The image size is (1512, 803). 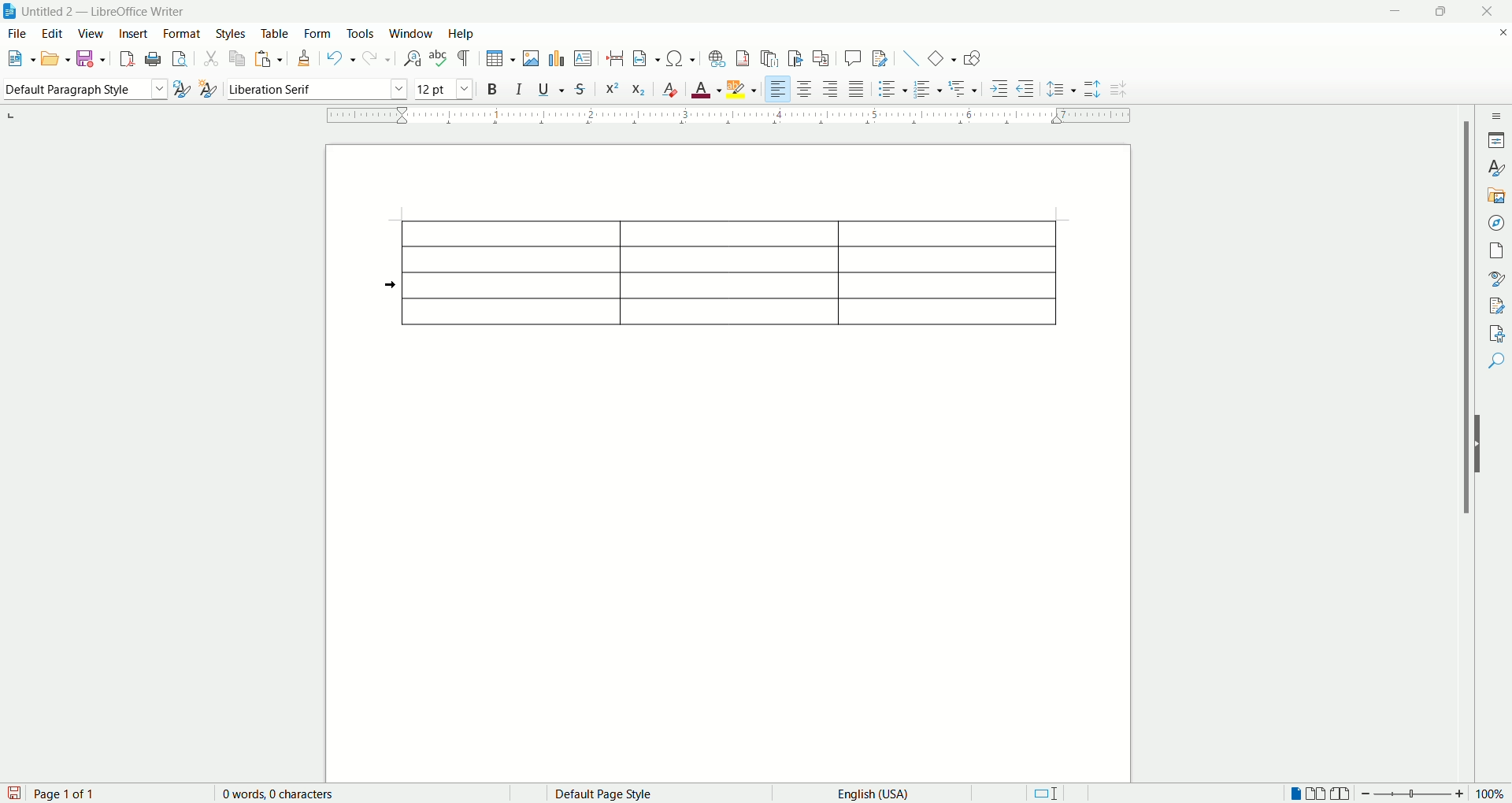 What do you see at coordinates (413, 58) in the screenshot?
I see `find and replace` at bounding box center [413, 58].